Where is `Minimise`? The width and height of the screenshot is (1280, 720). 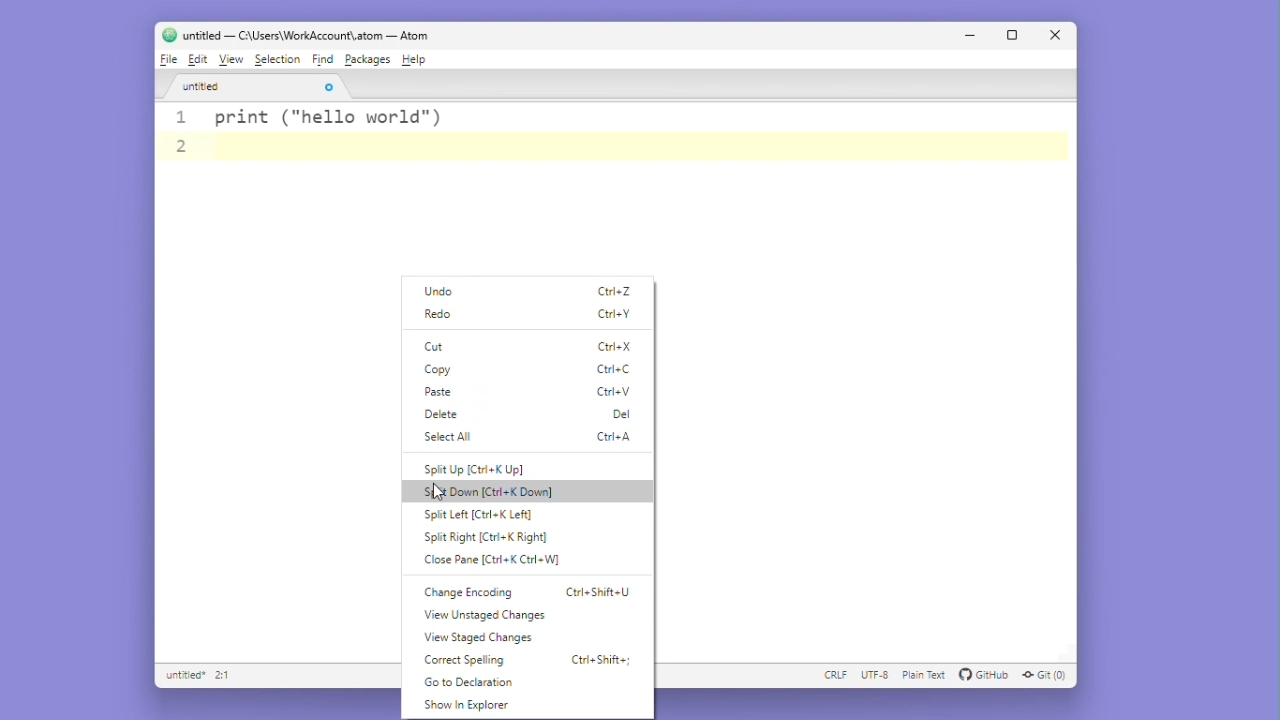
Minimise is located at coordinates (976, 37).